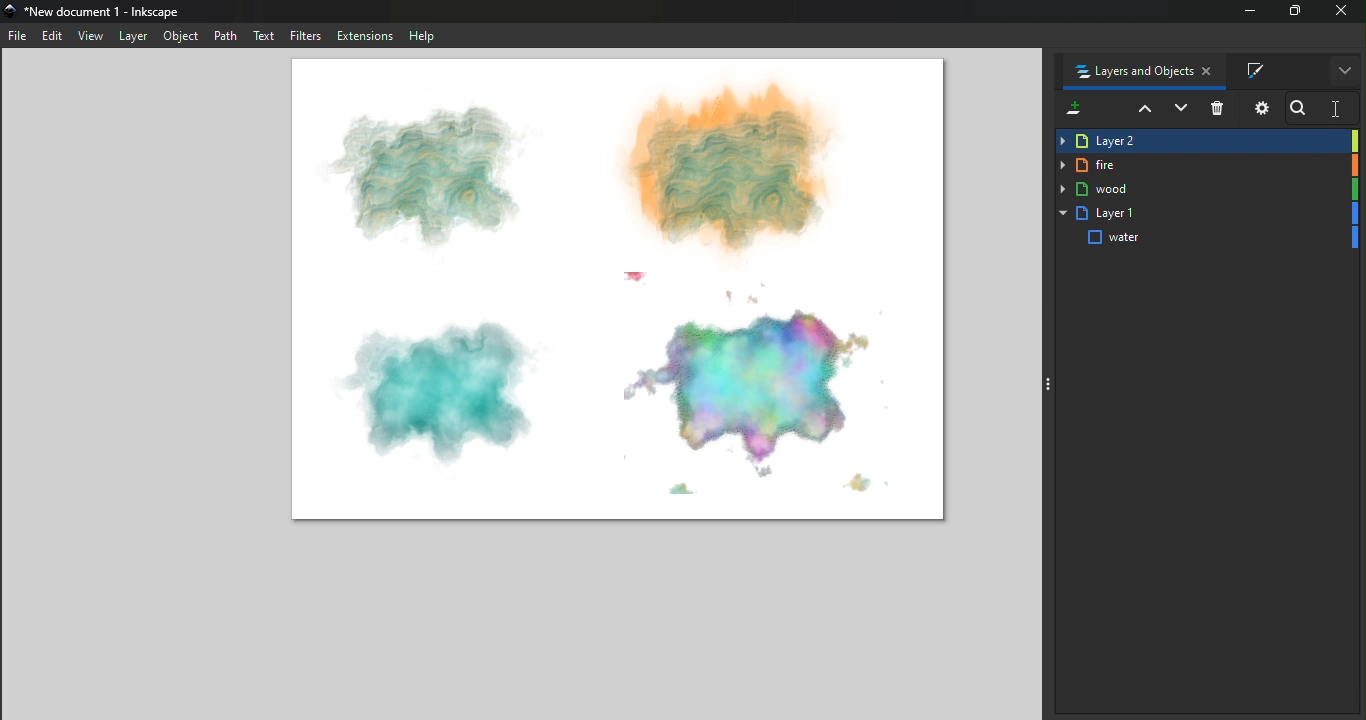 The image size is (1366, 720). I want to click on Extensions, so click(365, 35).